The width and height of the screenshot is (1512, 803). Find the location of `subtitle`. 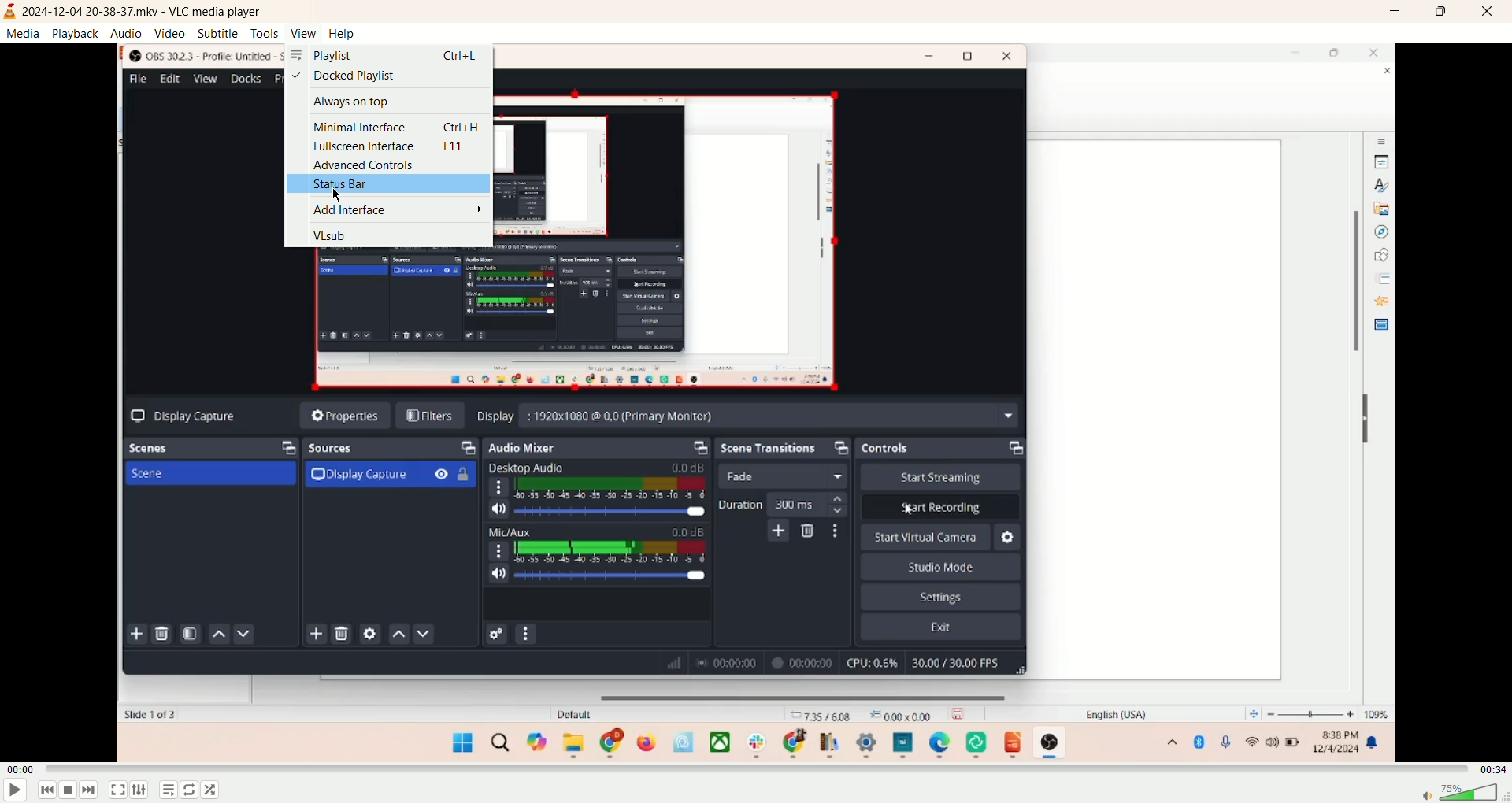

subtitle is located at coordinates (218, 32).